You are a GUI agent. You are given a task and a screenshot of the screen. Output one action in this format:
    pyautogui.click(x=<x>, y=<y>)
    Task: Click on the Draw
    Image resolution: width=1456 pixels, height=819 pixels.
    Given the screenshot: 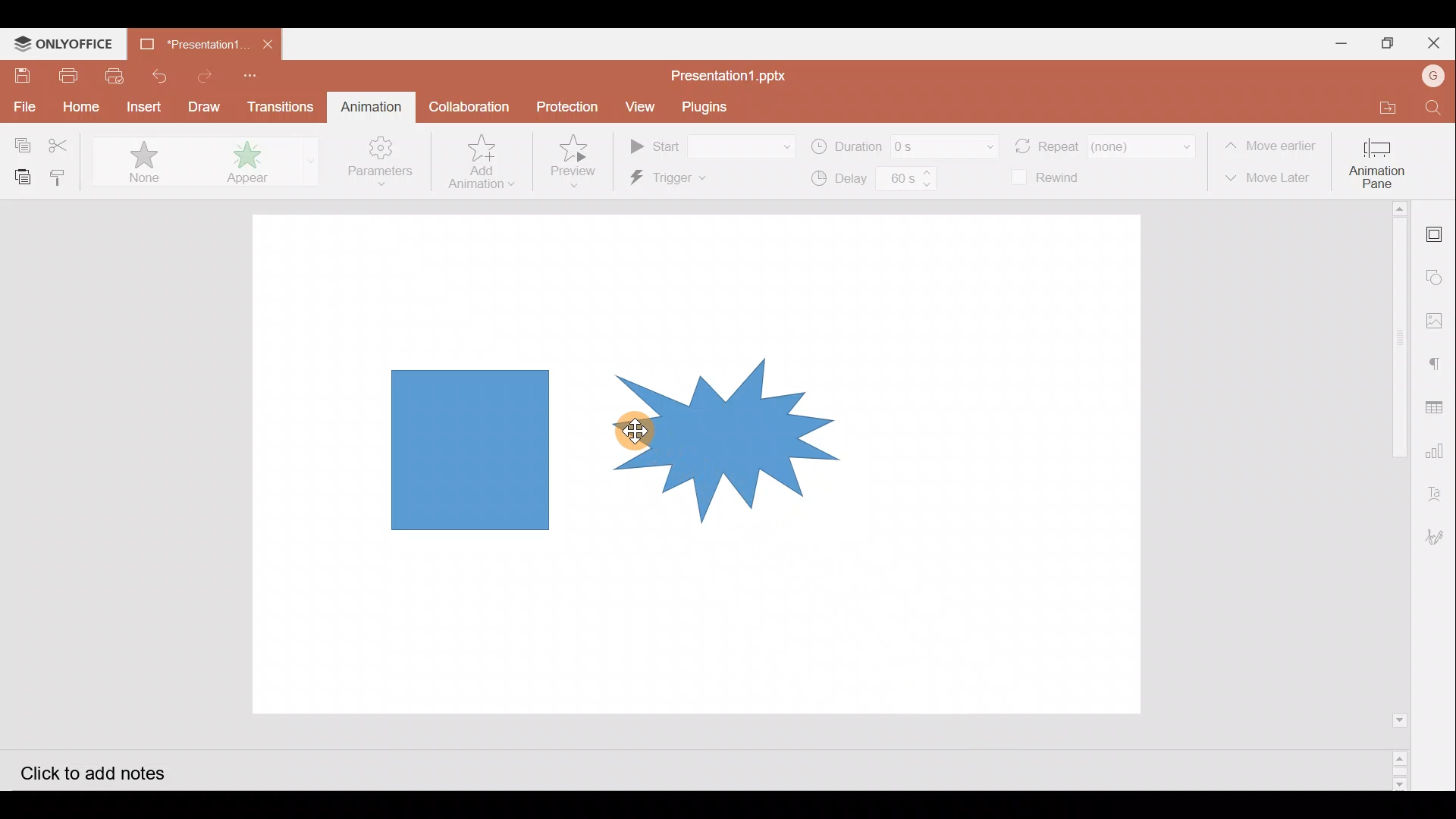 What is the action you would take?
    pyautogui.click(x=206, y=105)
    